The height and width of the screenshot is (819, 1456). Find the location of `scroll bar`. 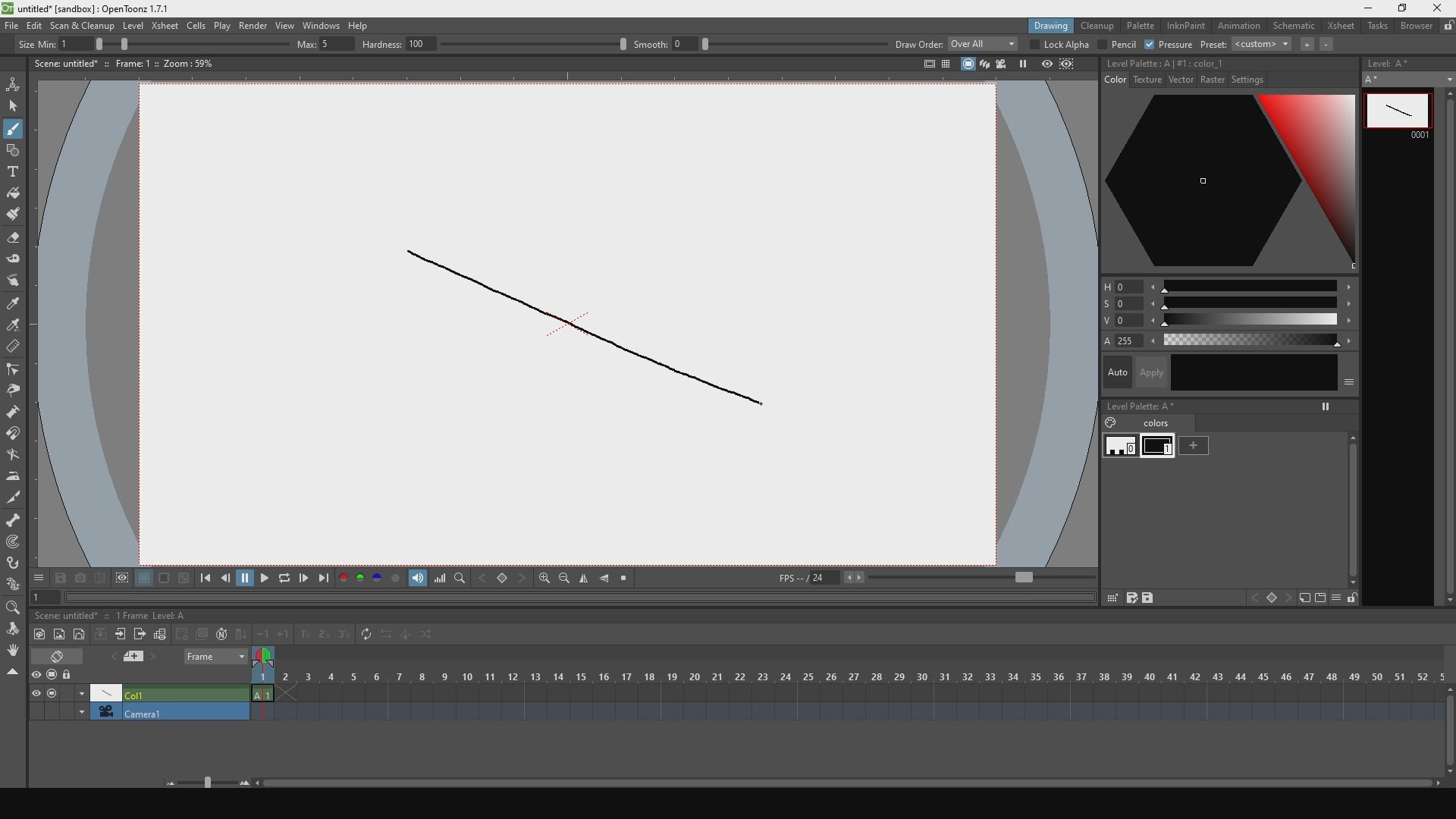

scroll bar is located at coordinates (1351, 510).